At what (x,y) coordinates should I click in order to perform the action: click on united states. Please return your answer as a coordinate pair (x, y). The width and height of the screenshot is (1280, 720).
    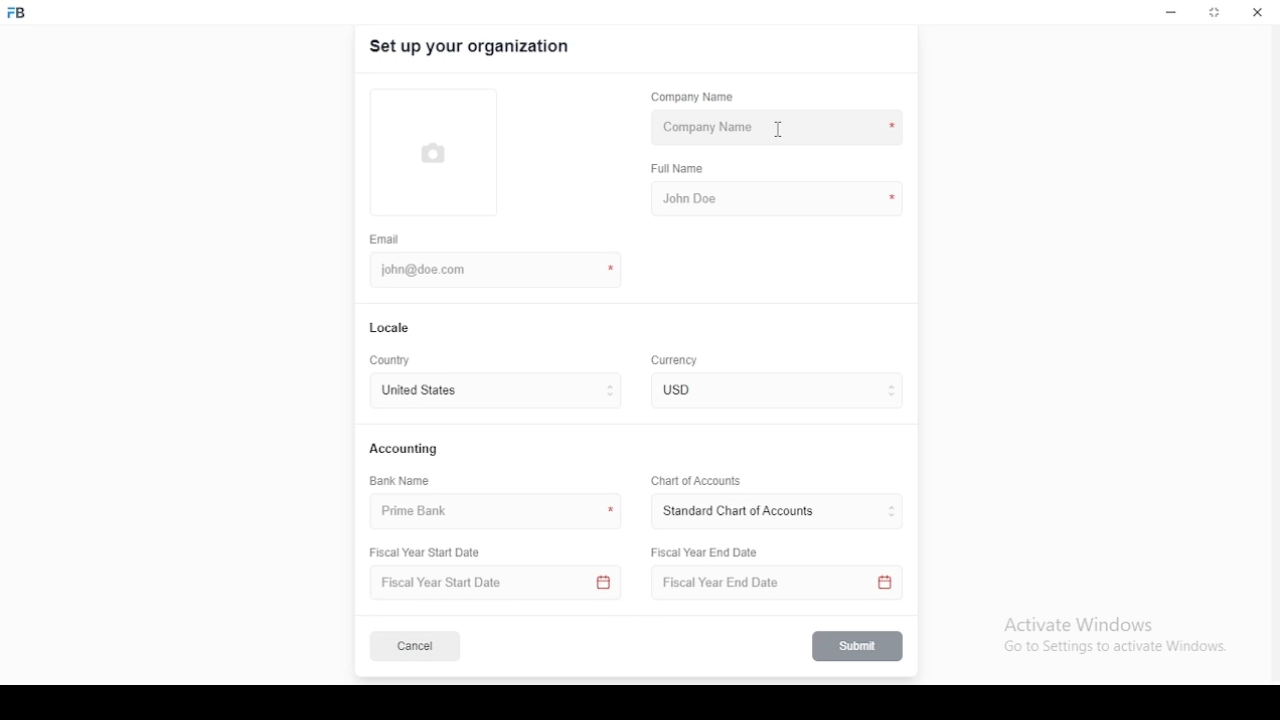
    Looking at the image, I should click on (418, 392).